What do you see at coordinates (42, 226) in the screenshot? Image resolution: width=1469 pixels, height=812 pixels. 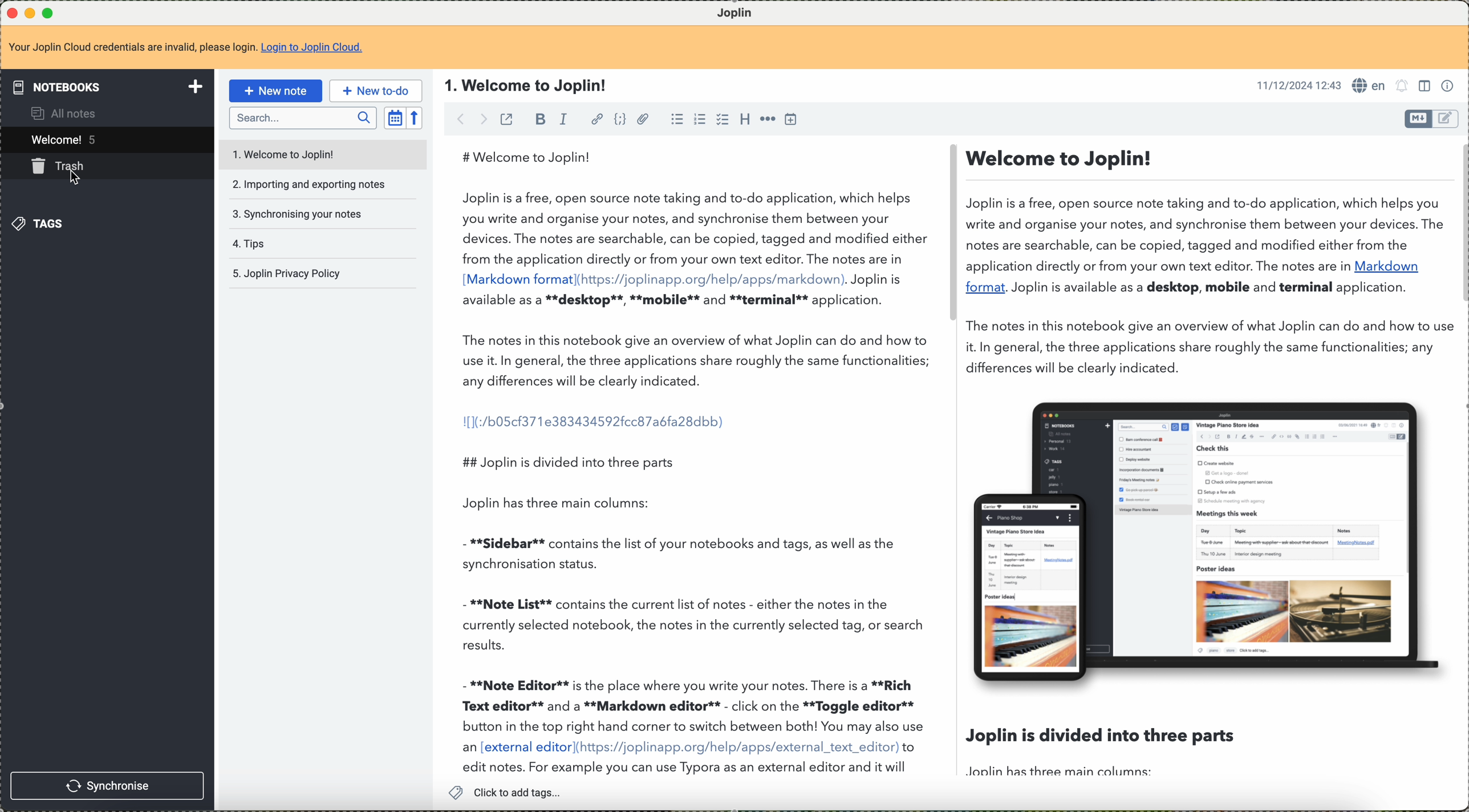 I see `tags` at bounding box center [42, 226].